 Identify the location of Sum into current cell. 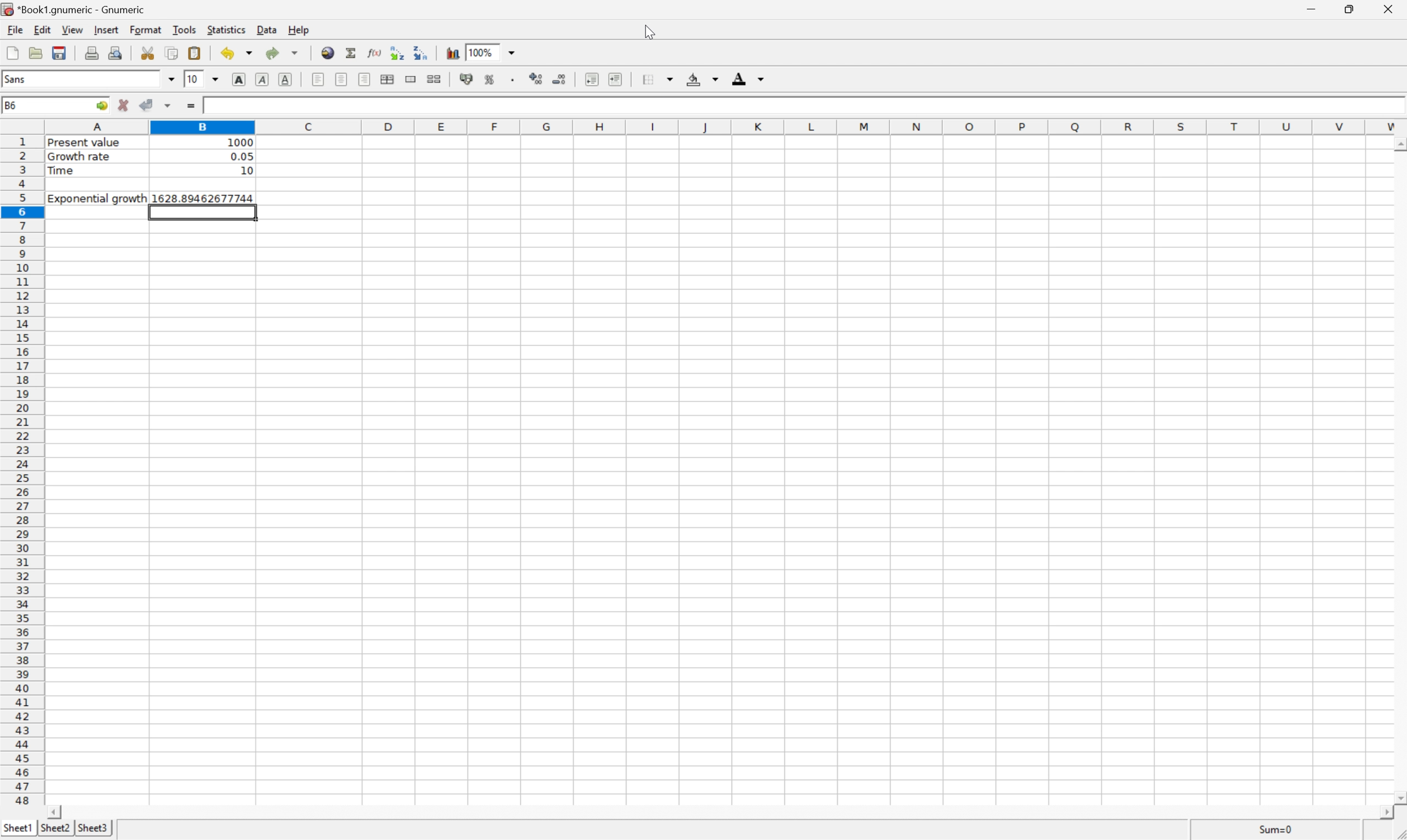
(351, 52).